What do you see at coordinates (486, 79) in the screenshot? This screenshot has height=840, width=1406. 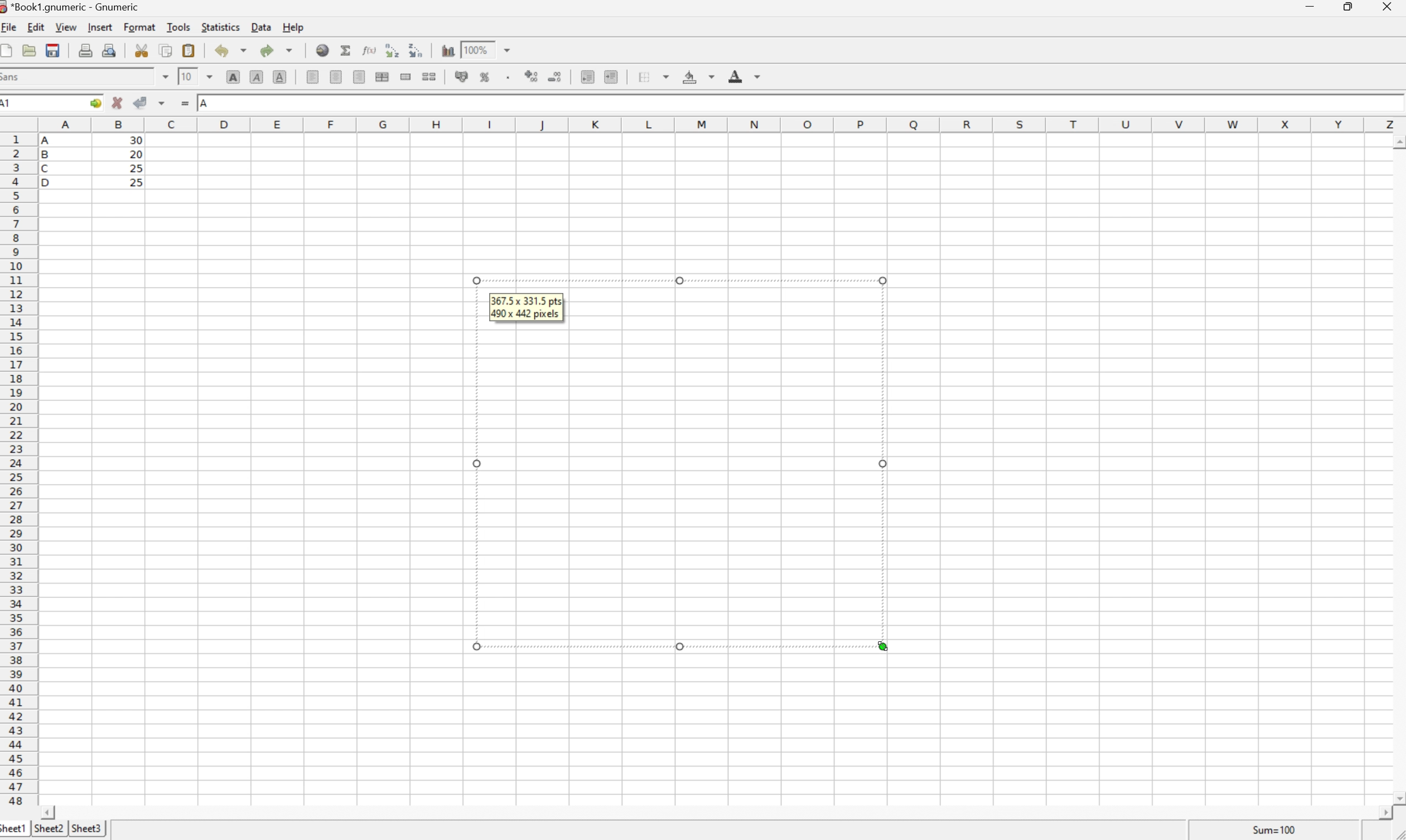 I see `Format selection as percentage` at bounding box center [486, 79].